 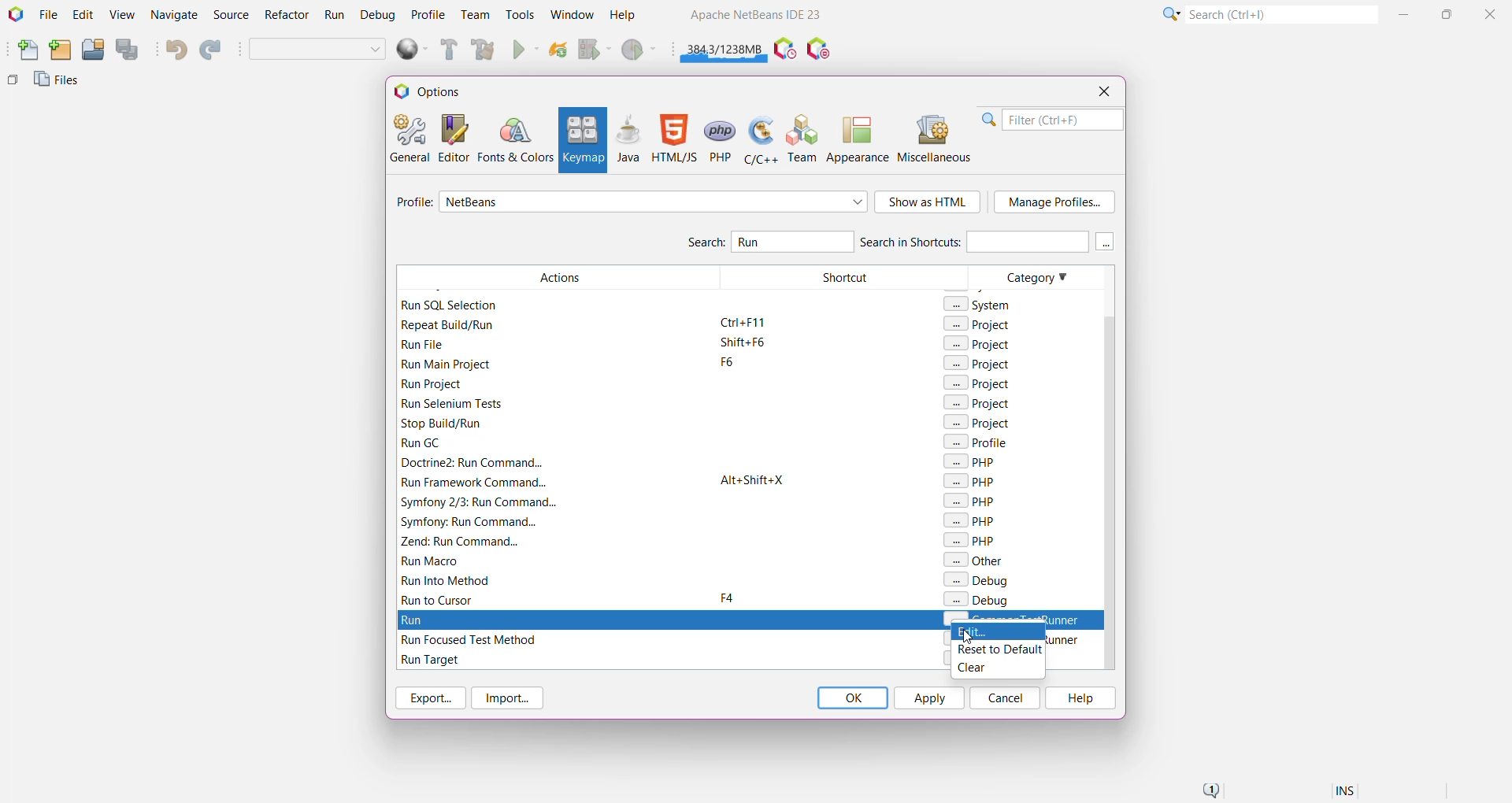 What do you see at coordinates (515, 139) in the screenshot?
I see `Fonts and Colors` at bounding box center [515, 139].